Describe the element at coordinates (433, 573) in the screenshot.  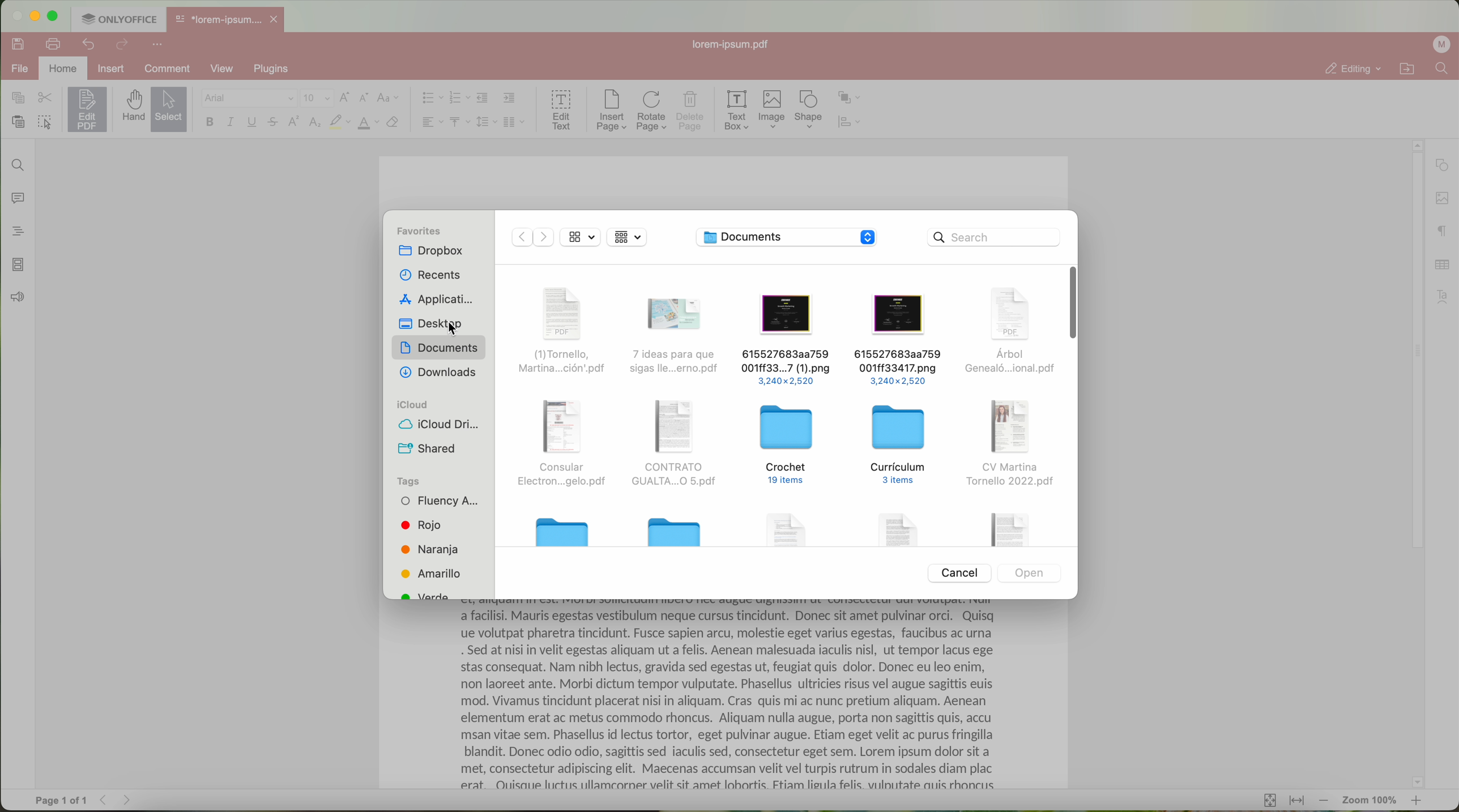
I see `Amarillo` at that location.